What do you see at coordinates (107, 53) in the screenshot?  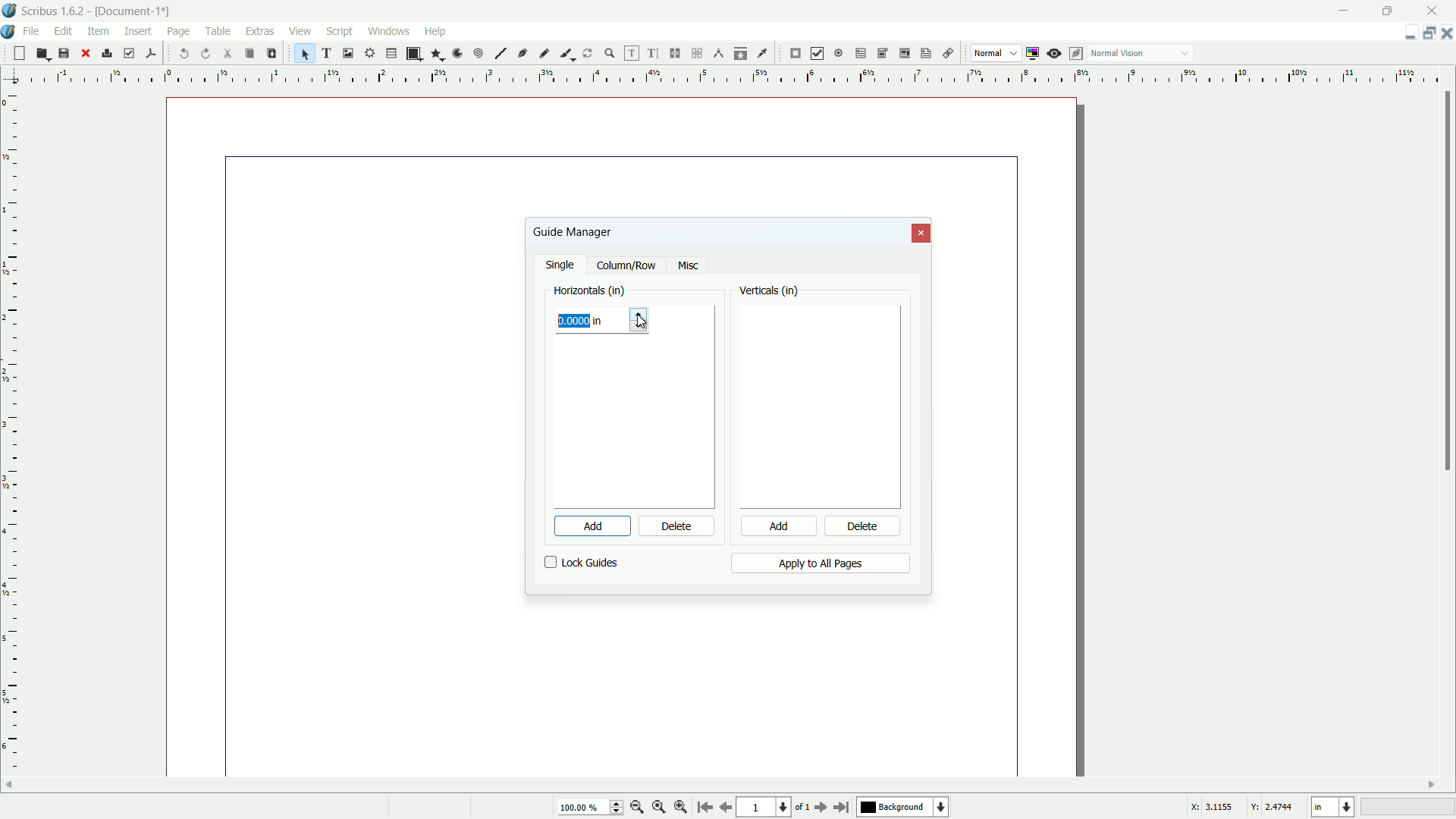 I see `print` at bounding box center [107, 53].